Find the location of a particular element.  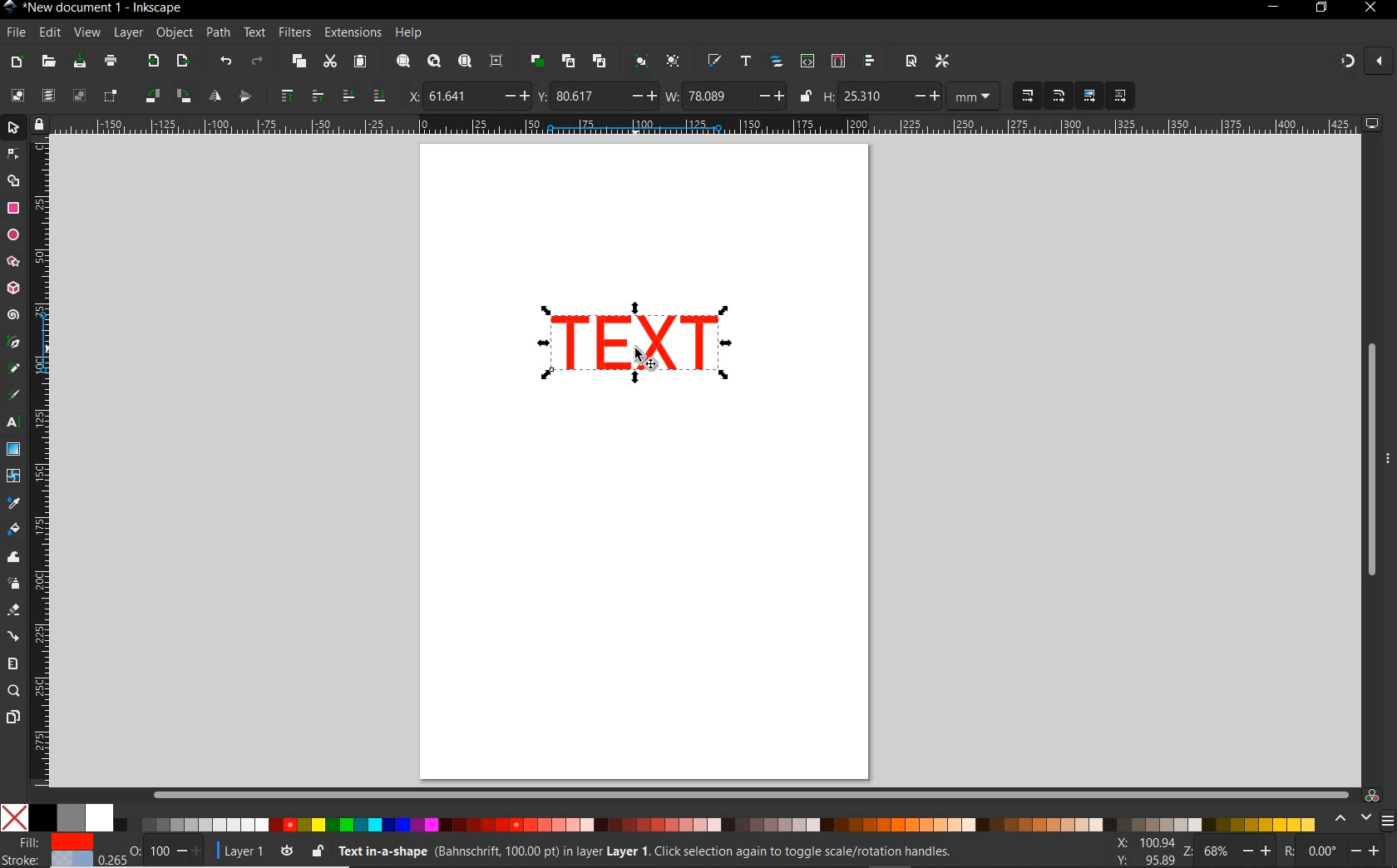

zoom center page is located at coordinates (500, 60).